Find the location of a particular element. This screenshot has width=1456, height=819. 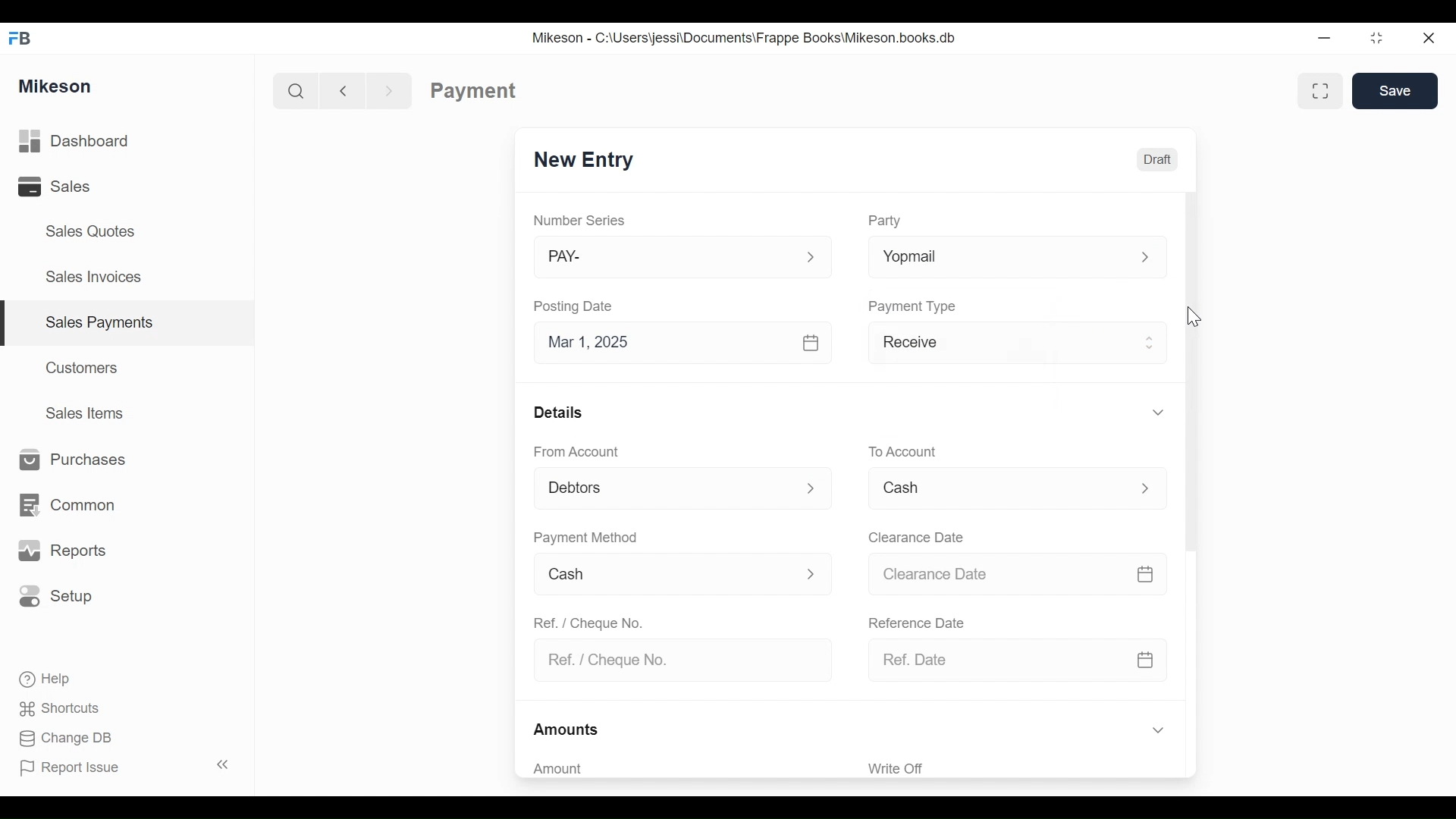

Party is located at coordinates (889, 221).